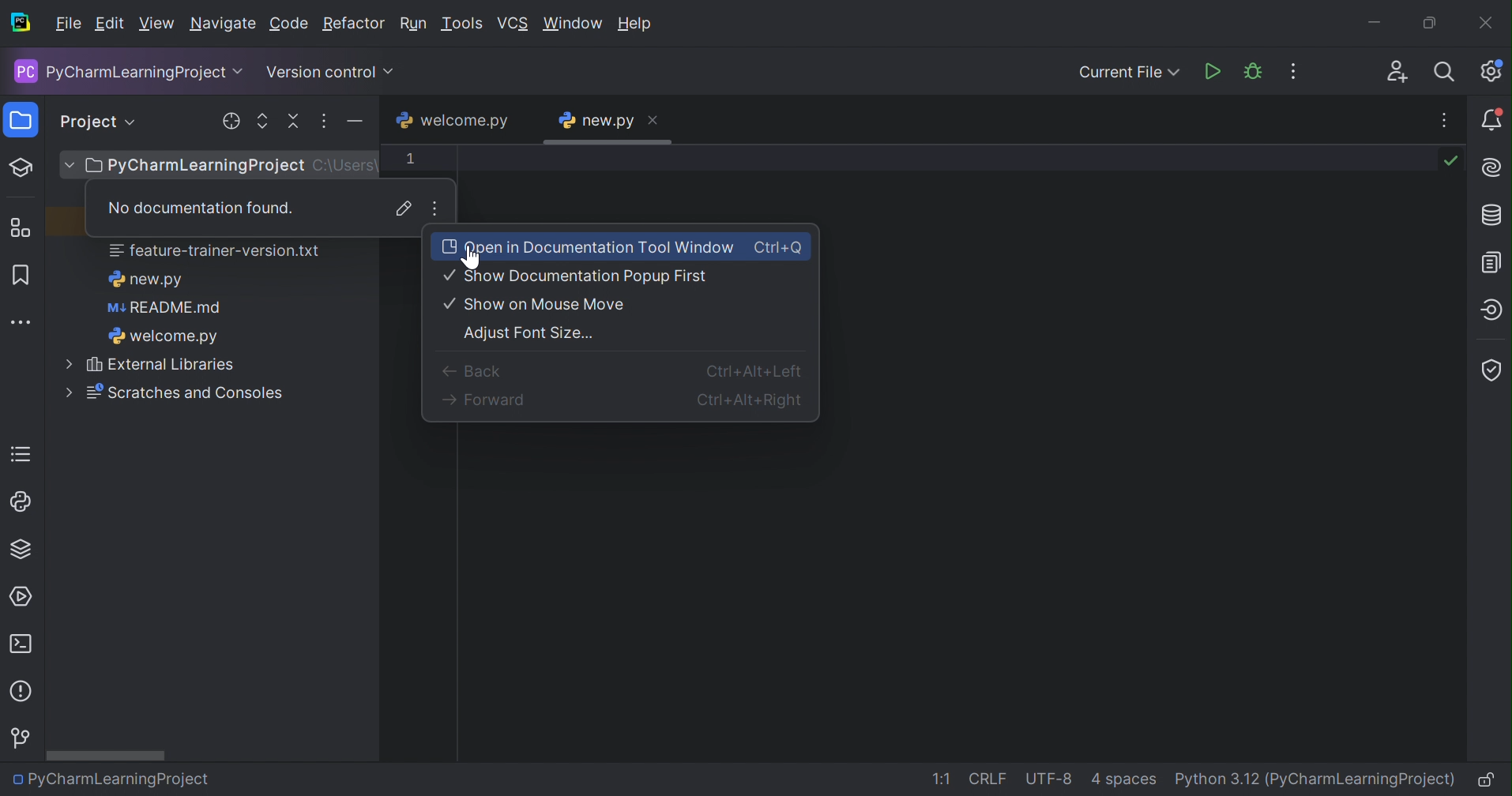  What do you see at coordinates (106, 755) in the screenshot?
I see `Scroll bar` at bounding box center [106, 755].